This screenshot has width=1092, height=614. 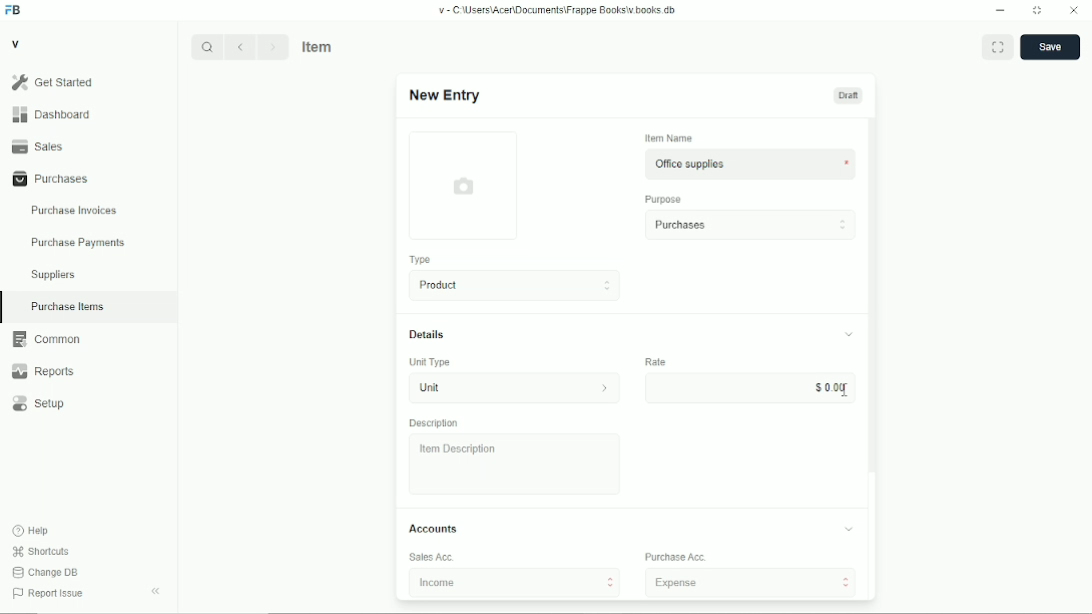 I want to click on change DB, so click(x=45, y=572).